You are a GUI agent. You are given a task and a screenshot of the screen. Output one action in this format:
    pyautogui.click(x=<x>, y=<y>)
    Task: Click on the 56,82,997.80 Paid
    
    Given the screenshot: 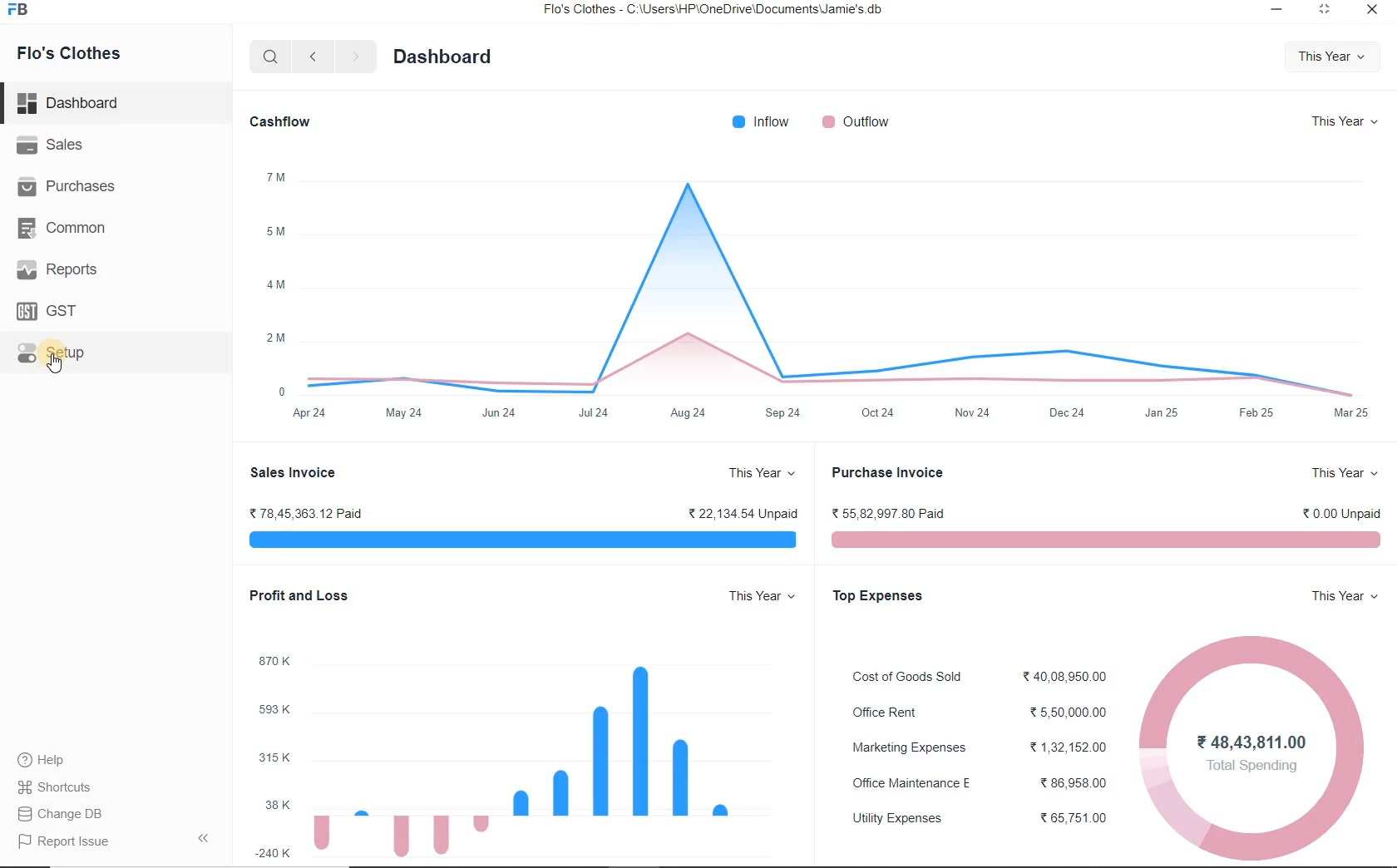 What is the action you would take?
    pyautogui.click(x=890, y=513)
    